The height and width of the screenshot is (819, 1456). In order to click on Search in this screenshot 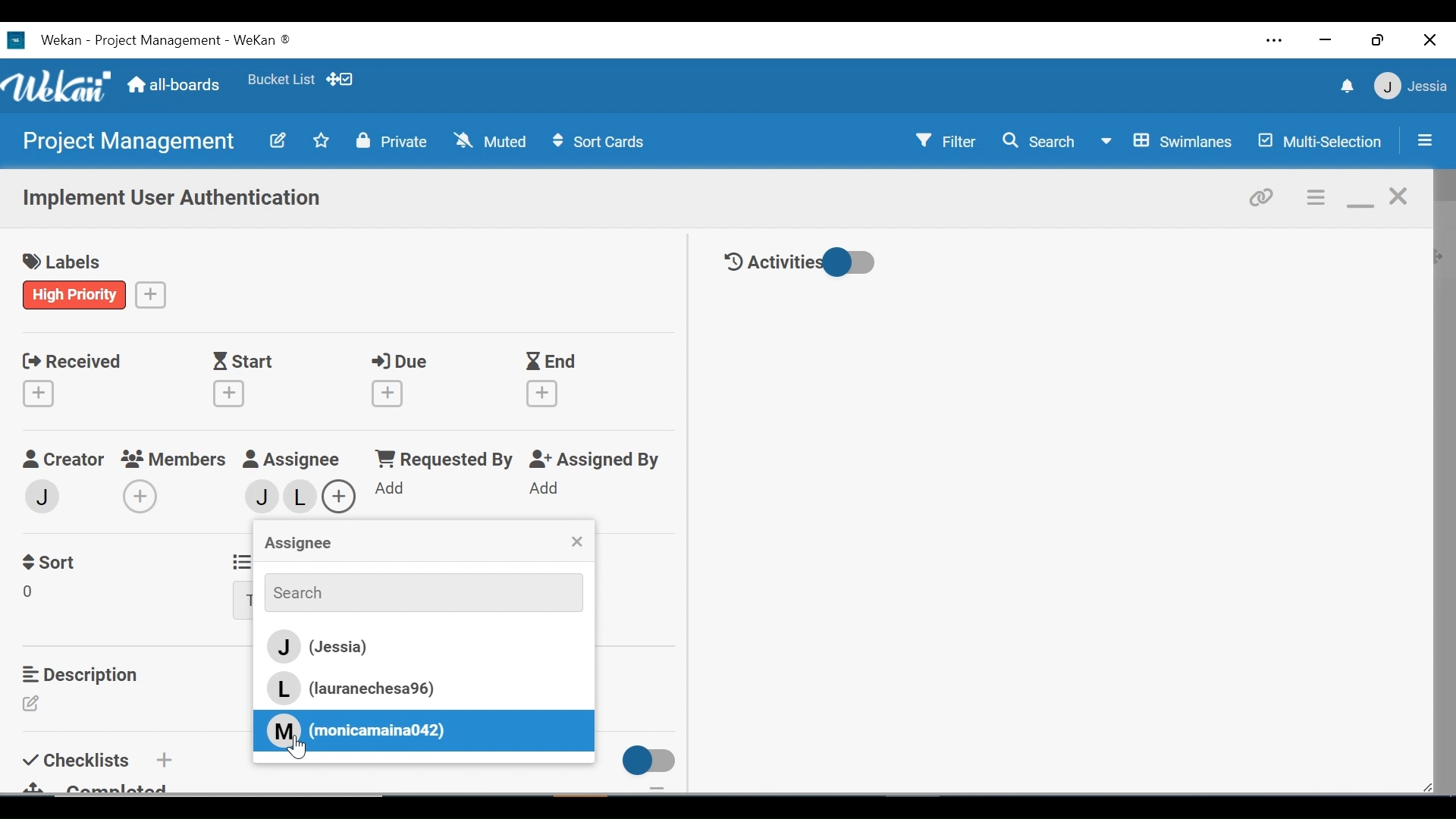, I will do `click(1038, 141)`.